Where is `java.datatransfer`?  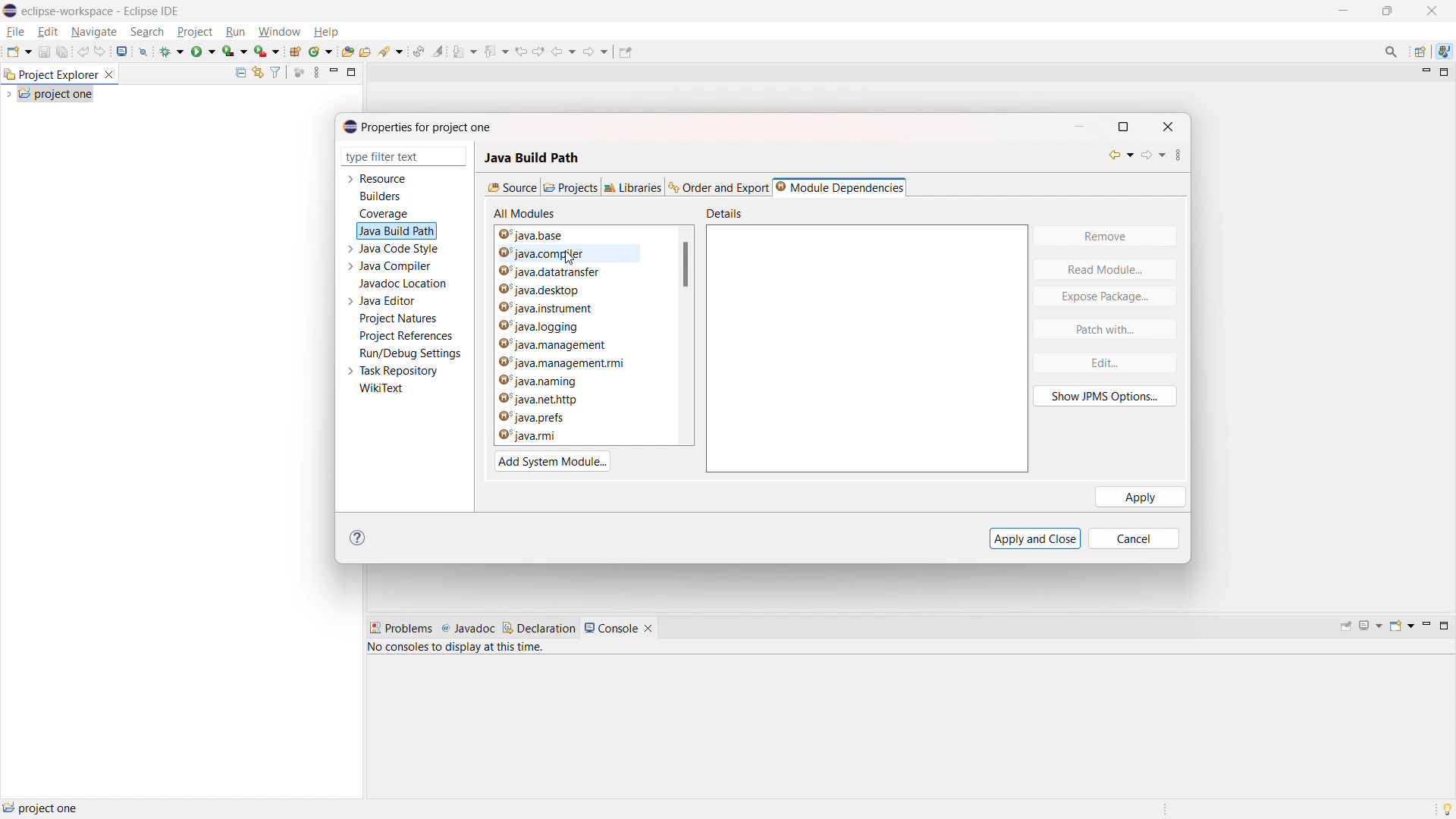
java.datatransfer is located at coordinates (578, 272).